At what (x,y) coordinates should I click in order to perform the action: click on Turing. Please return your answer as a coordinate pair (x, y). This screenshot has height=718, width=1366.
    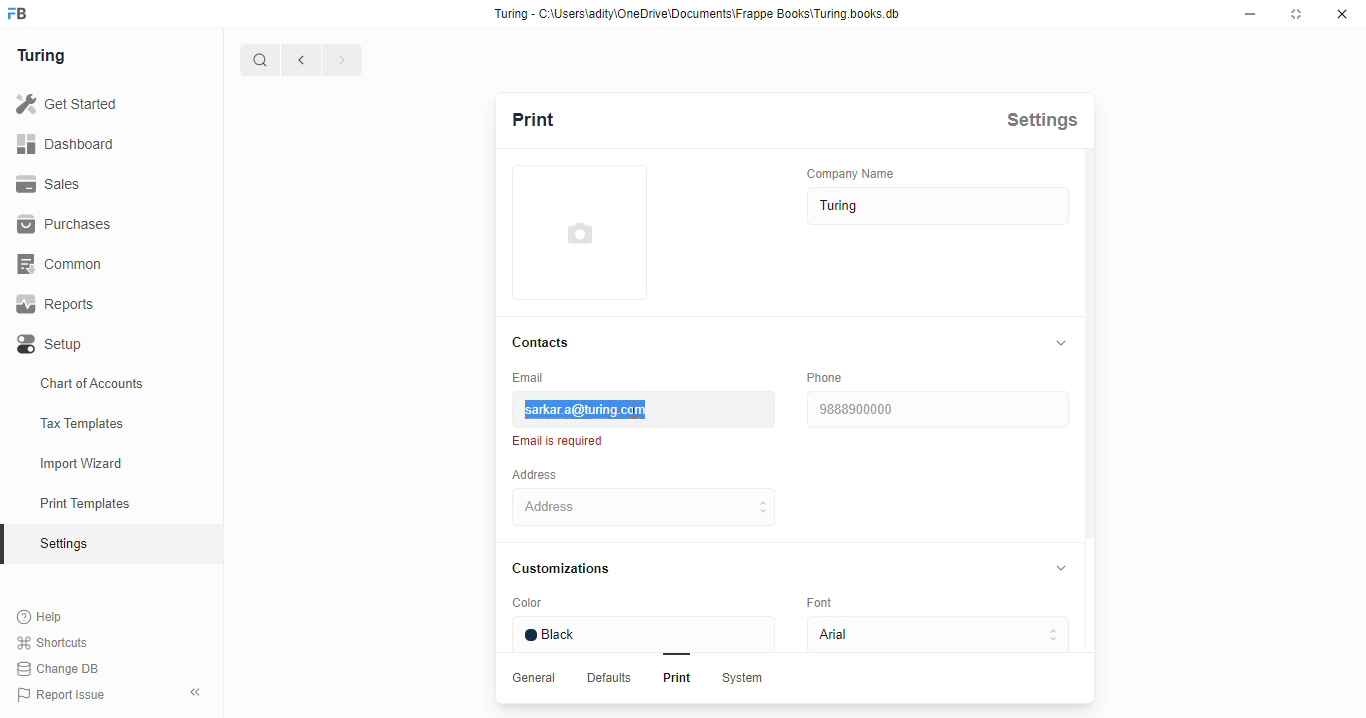
    Looking at the image, I should click on (45, 54).